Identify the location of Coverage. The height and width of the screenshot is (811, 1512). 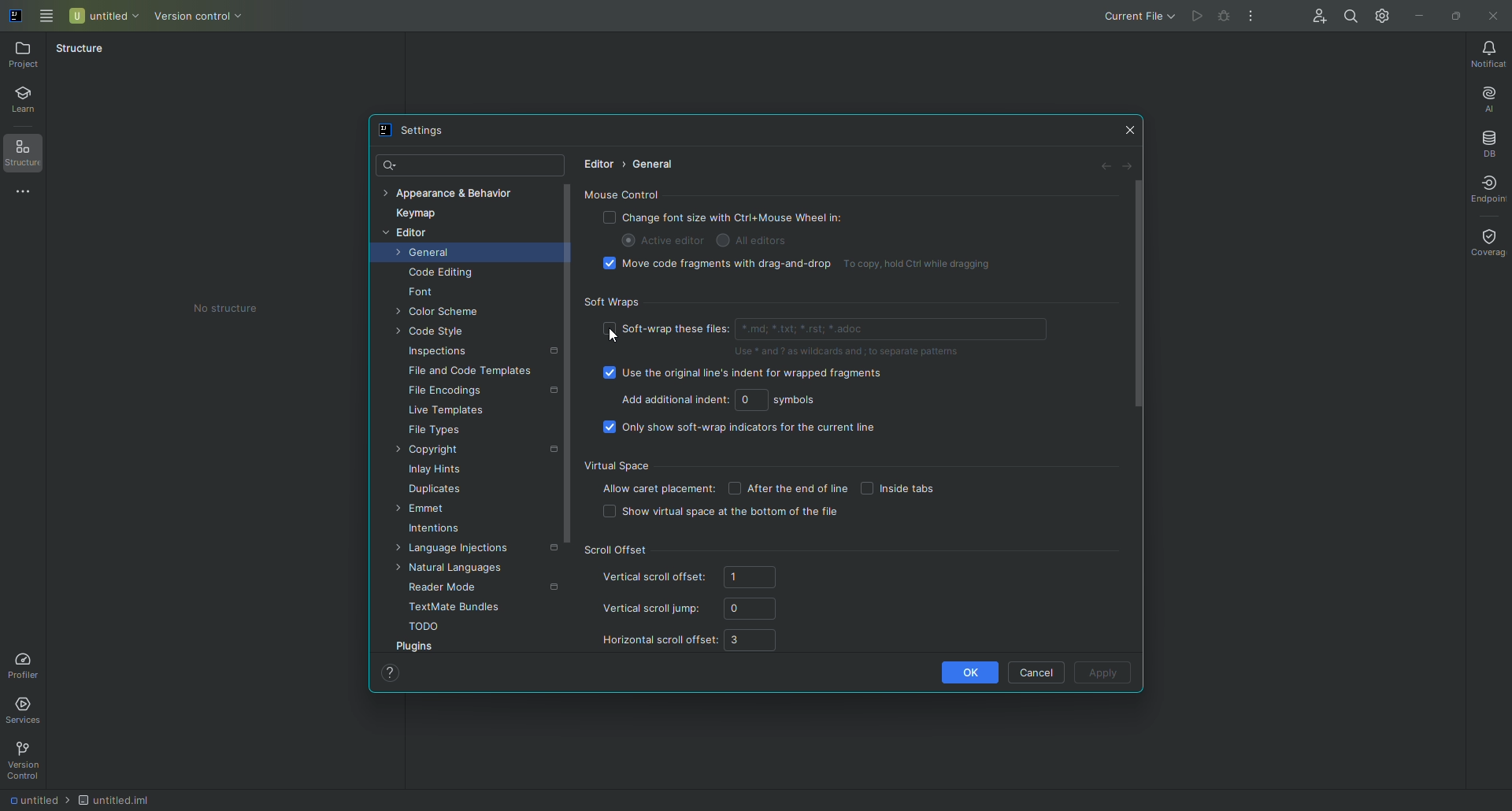
(1488, 242).